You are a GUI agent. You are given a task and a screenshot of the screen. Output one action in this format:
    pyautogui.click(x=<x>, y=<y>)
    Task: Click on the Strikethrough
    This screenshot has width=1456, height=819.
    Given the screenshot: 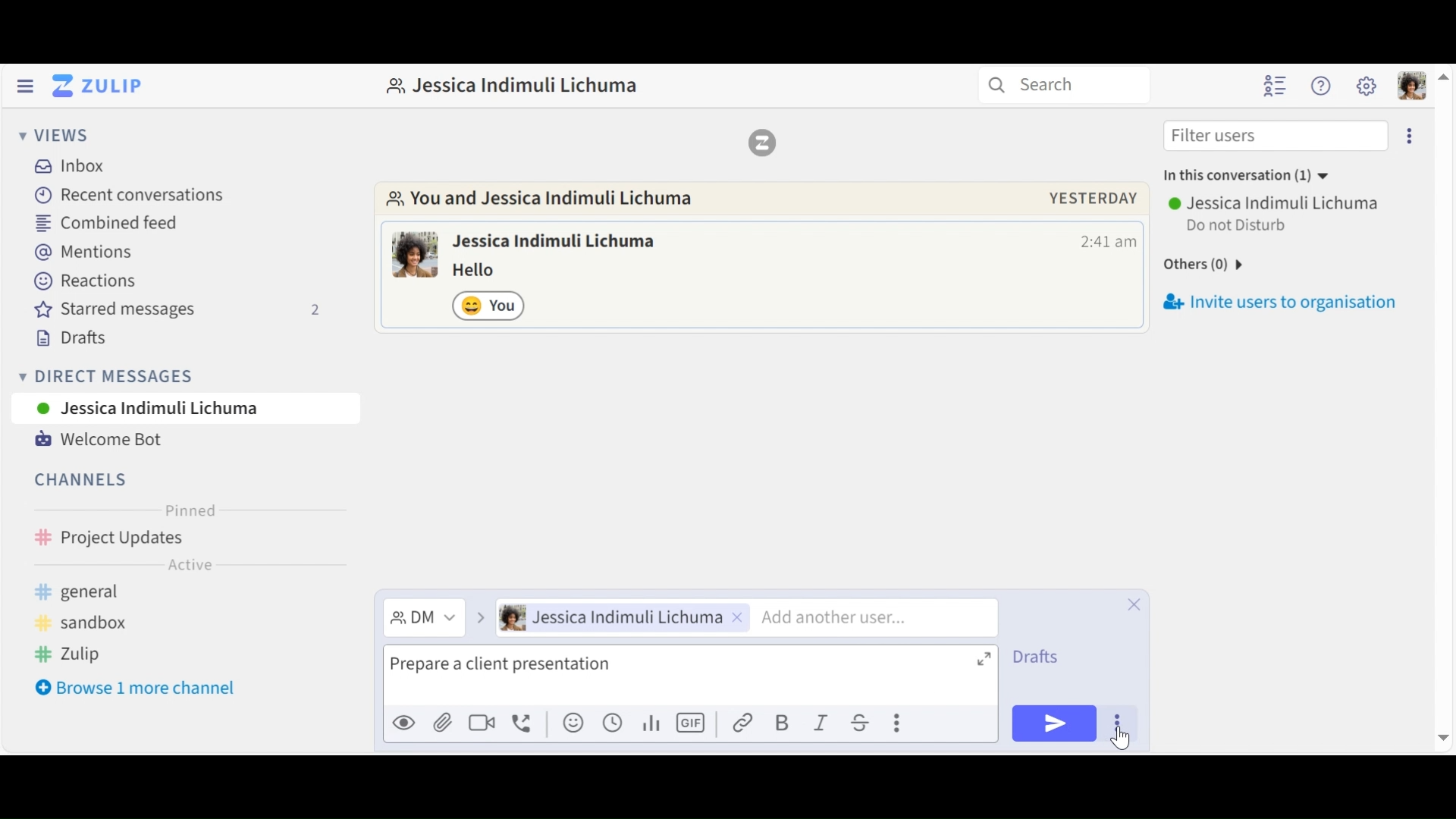 What is the action you would take?
    pyautogui.click(x=858, y=723)
    